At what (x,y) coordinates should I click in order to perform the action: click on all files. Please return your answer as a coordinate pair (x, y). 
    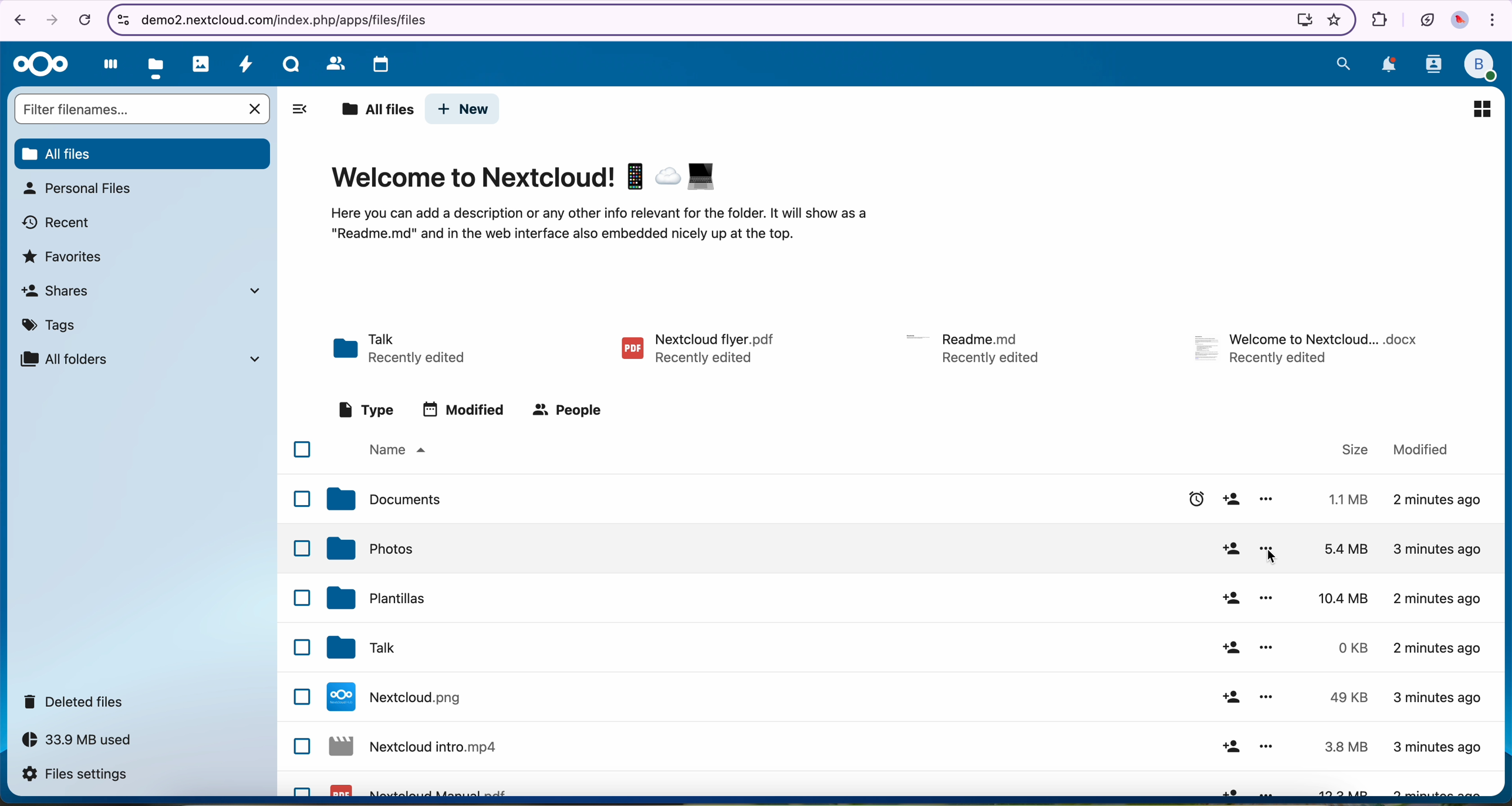
    Looking at the image, I should click on (374, 109).